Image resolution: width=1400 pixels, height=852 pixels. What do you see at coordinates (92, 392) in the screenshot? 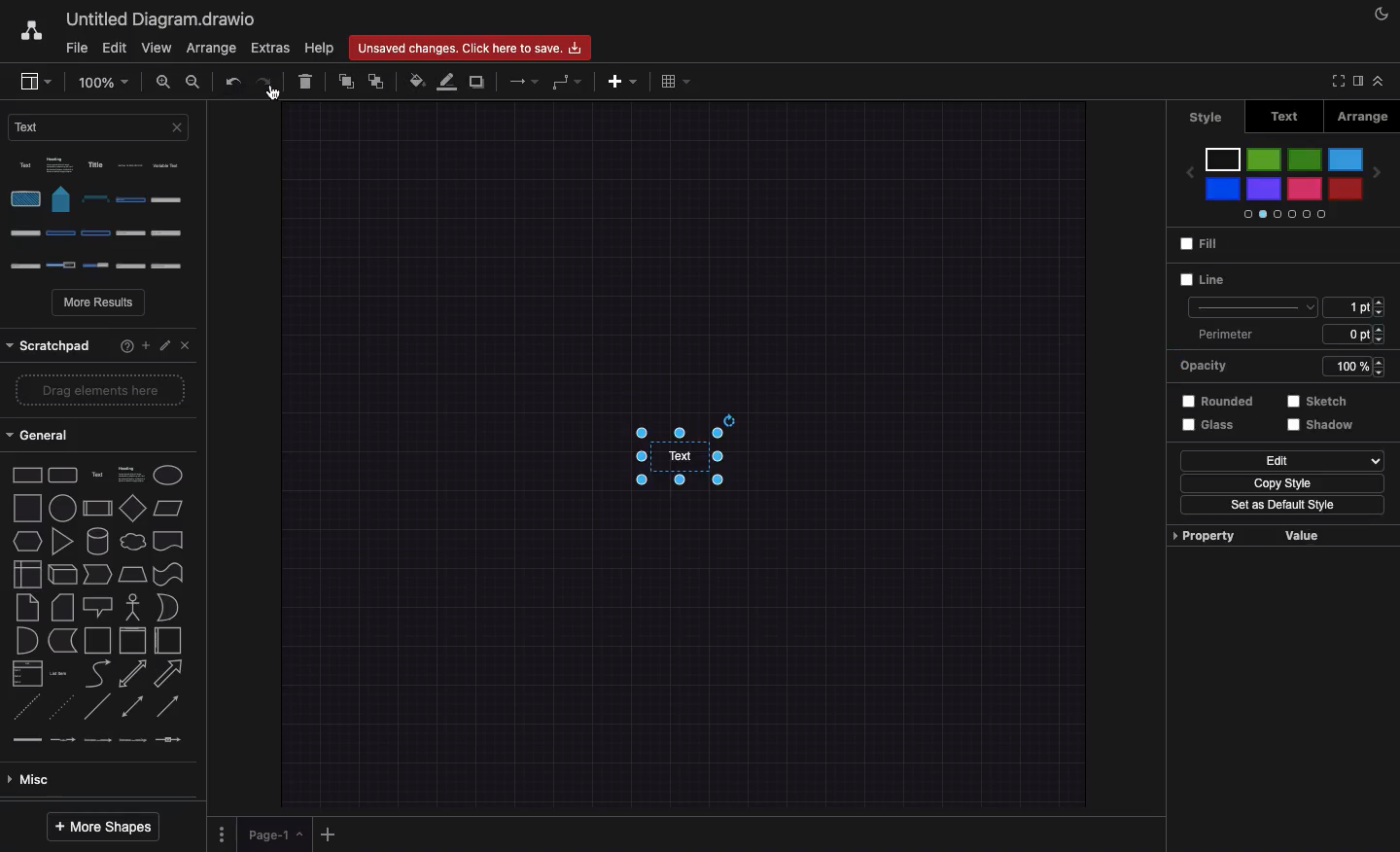
I see `Drag elements here` at bounding box center [92, 392].